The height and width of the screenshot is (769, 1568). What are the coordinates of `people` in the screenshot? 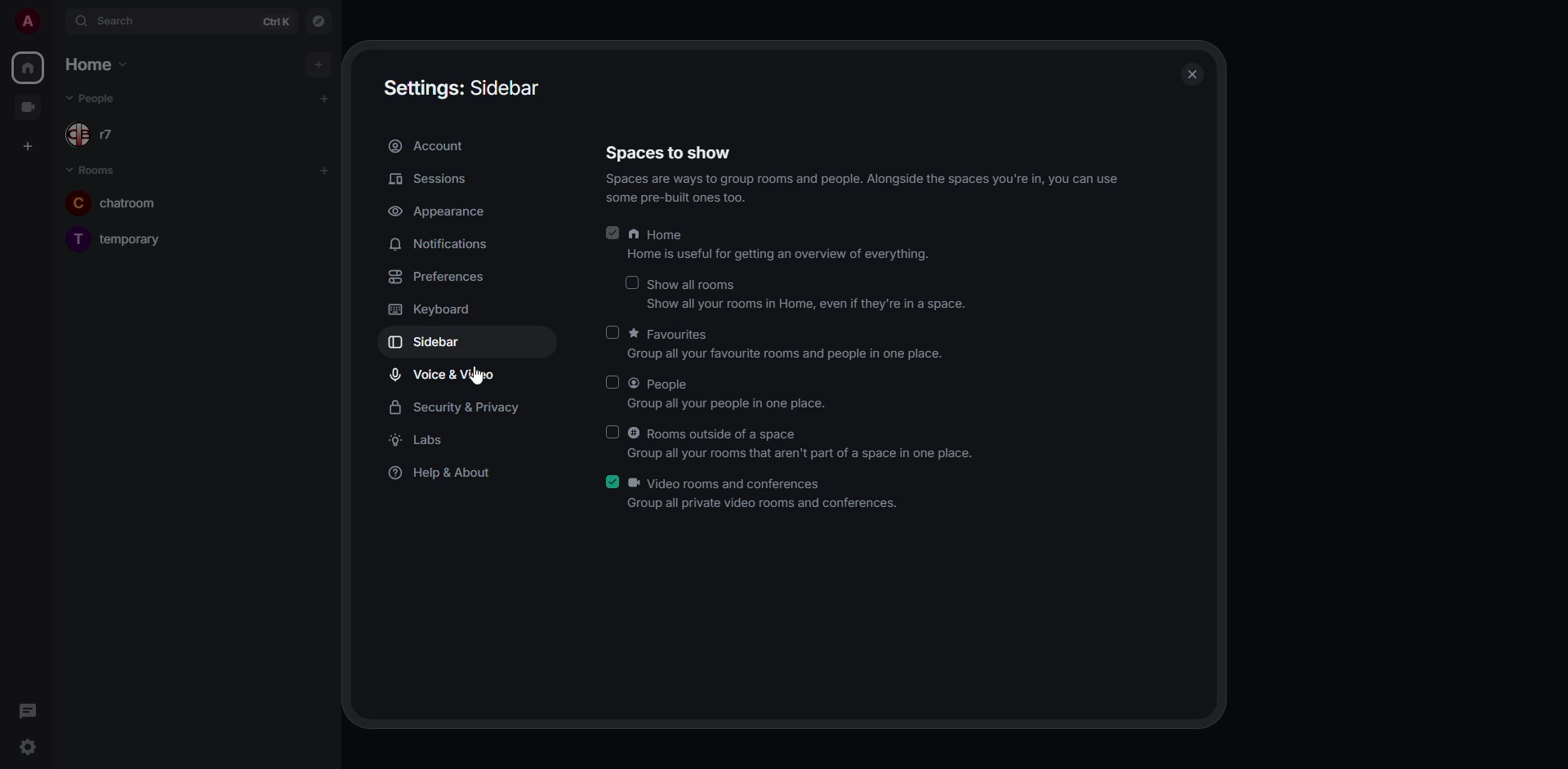 It's located at (728, 393).